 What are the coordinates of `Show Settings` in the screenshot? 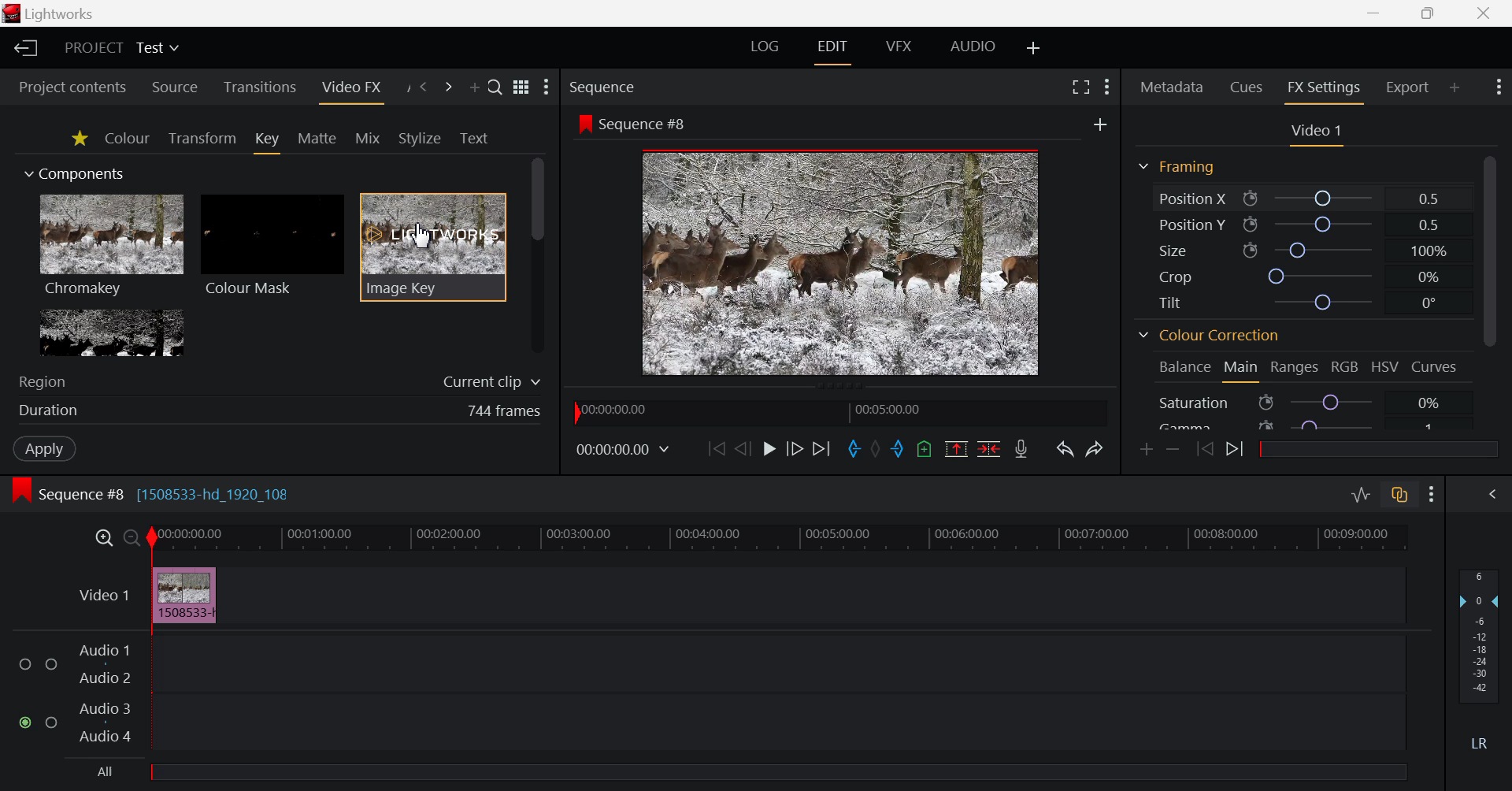 It's located at (550, 91).